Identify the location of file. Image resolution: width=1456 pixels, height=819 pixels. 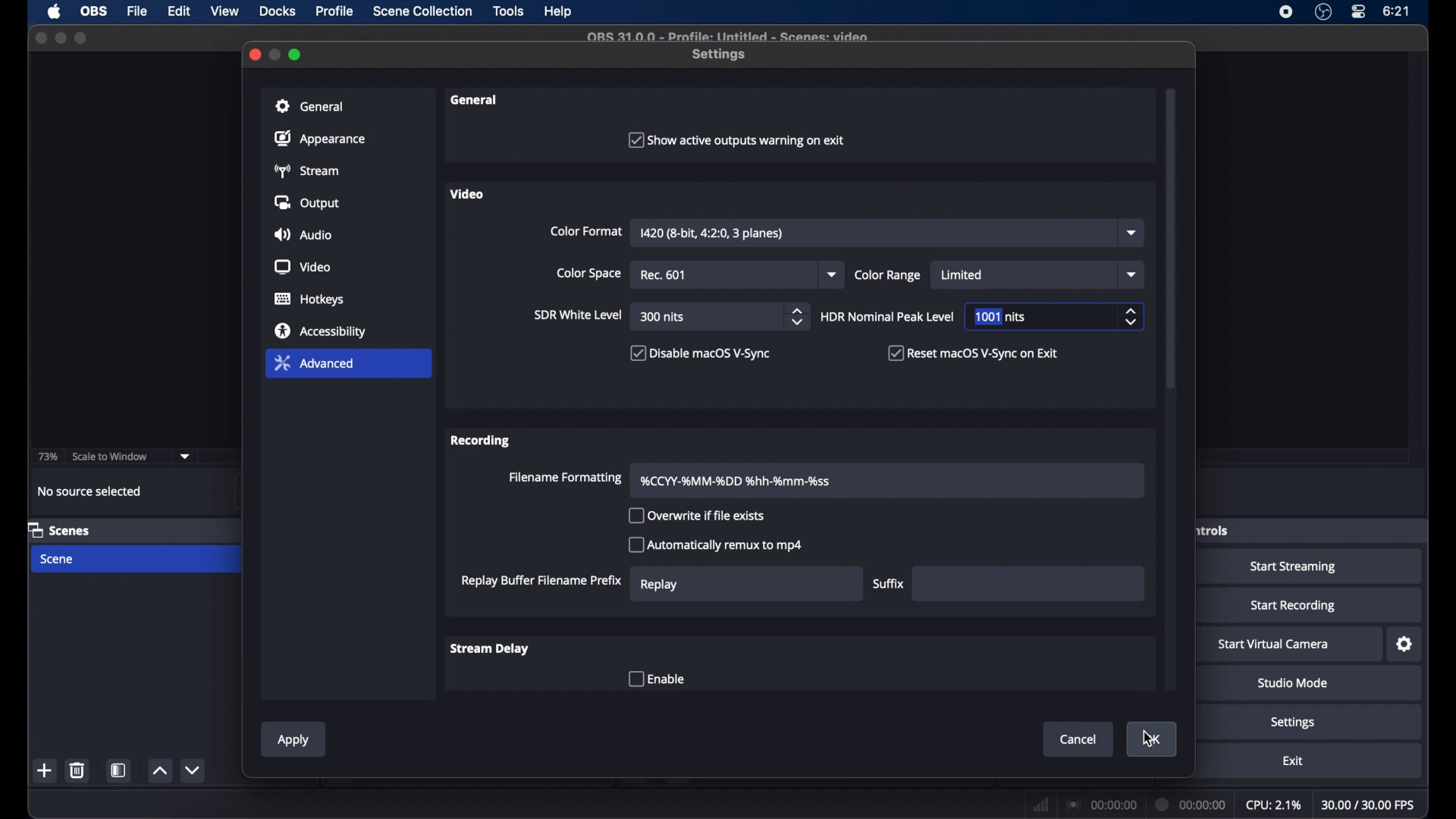
(137, 11).